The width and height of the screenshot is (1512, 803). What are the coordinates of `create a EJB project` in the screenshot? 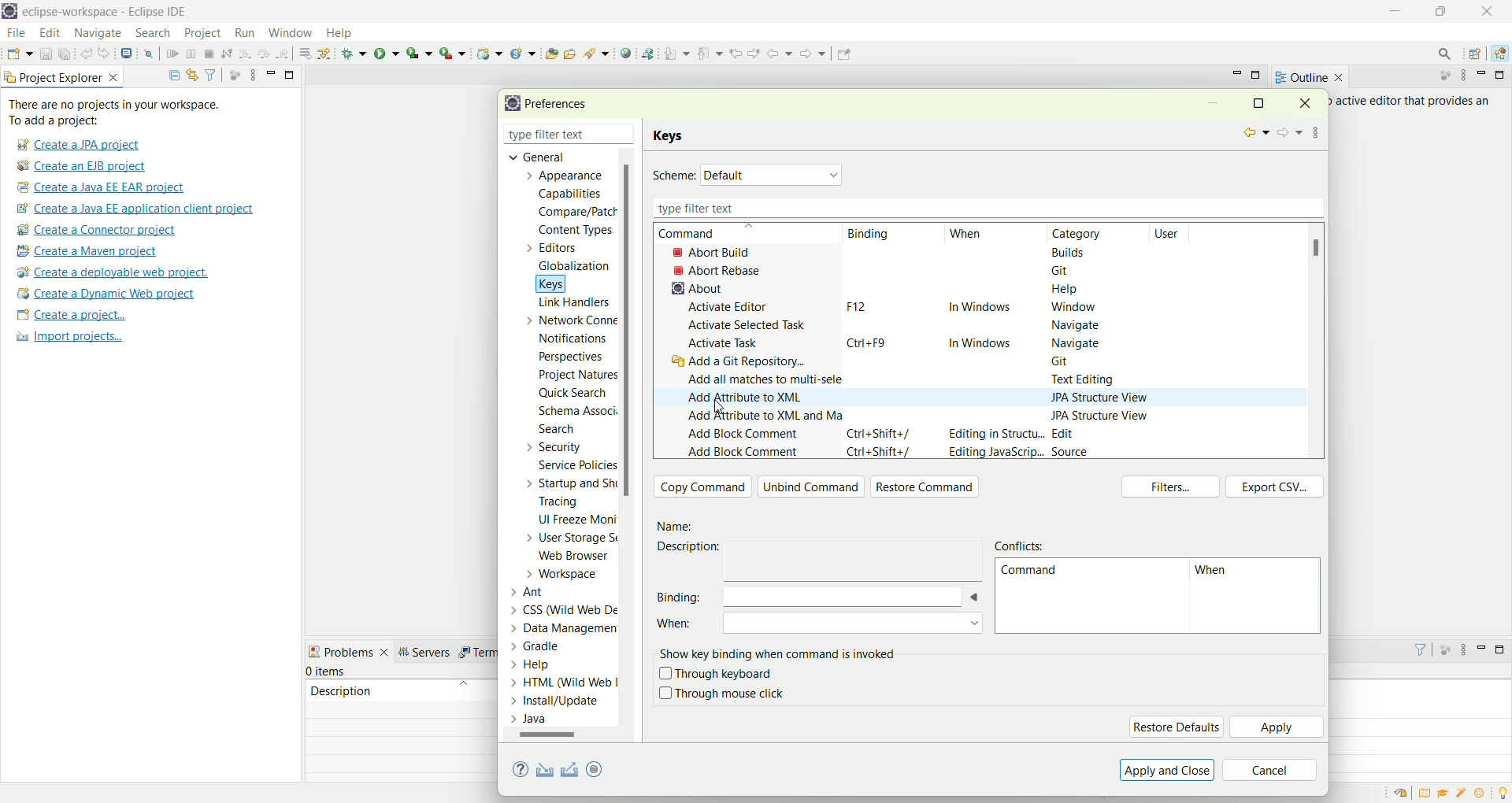 It's located at (83, 167).